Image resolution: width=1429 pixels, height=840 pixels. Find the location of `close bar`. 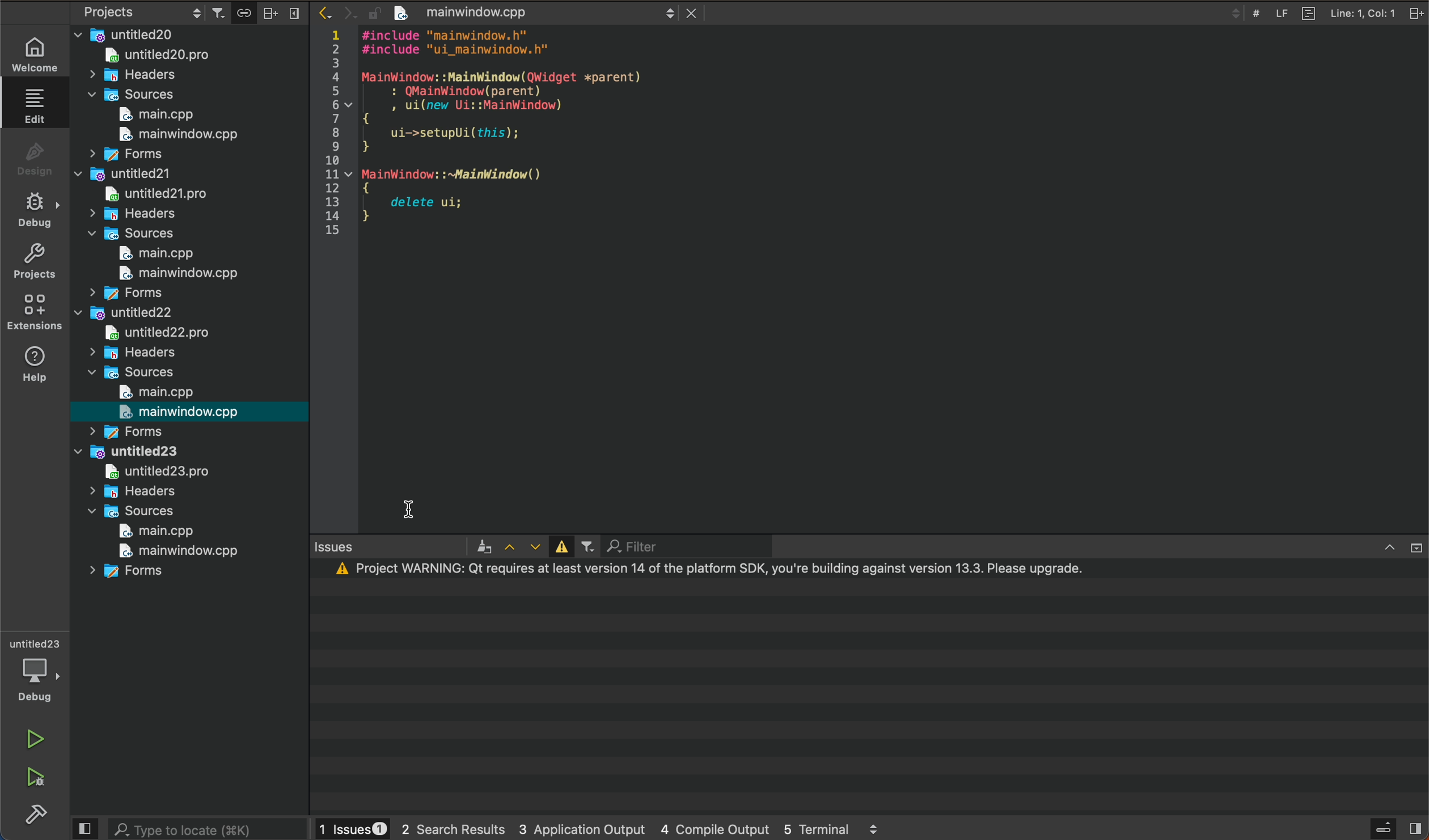

close bar is located at coordinates (1393, 545).